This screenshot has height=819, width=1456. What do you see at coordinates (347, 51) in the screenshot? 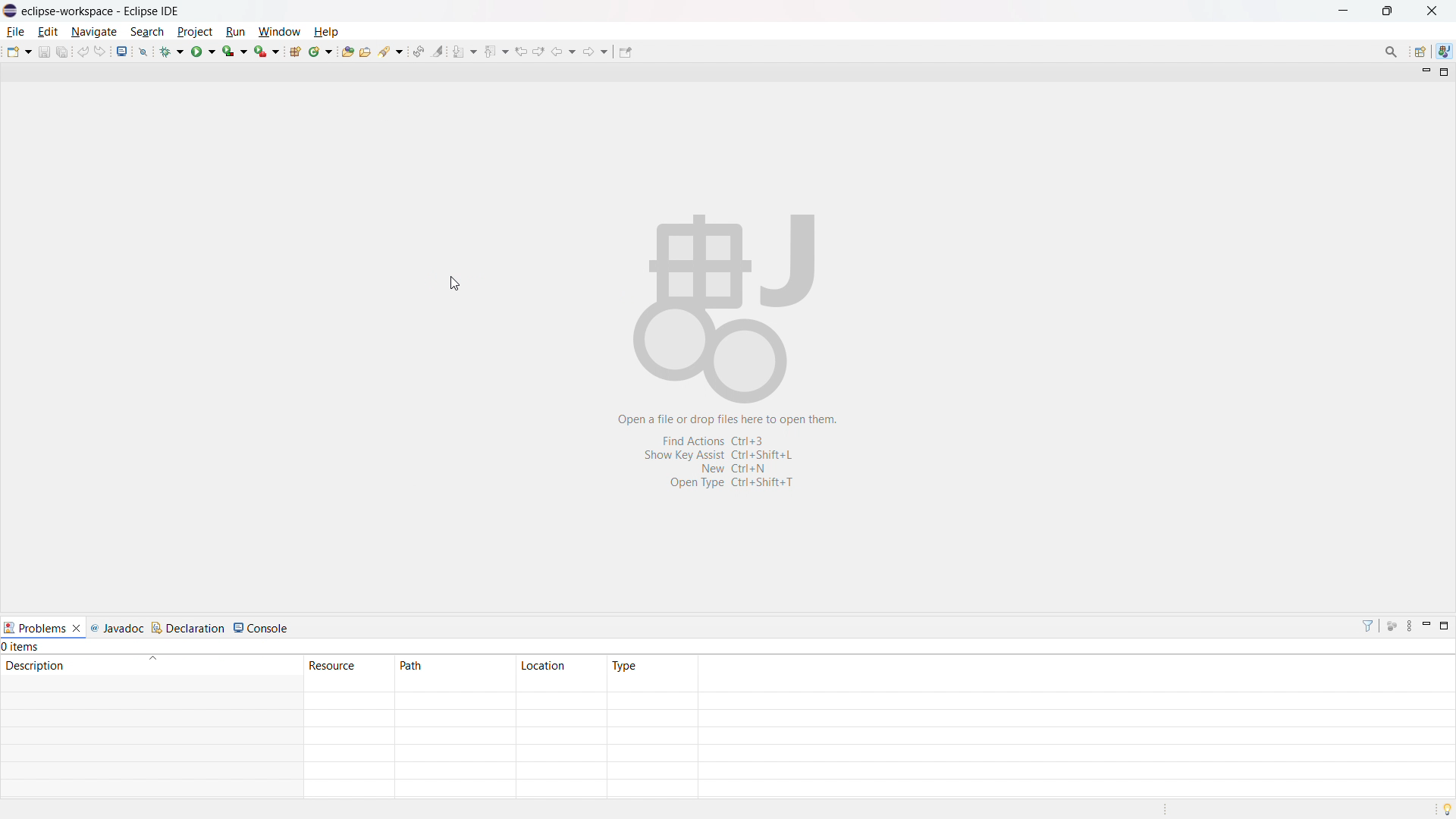
I see `open type` at bounding box center [347, 51].